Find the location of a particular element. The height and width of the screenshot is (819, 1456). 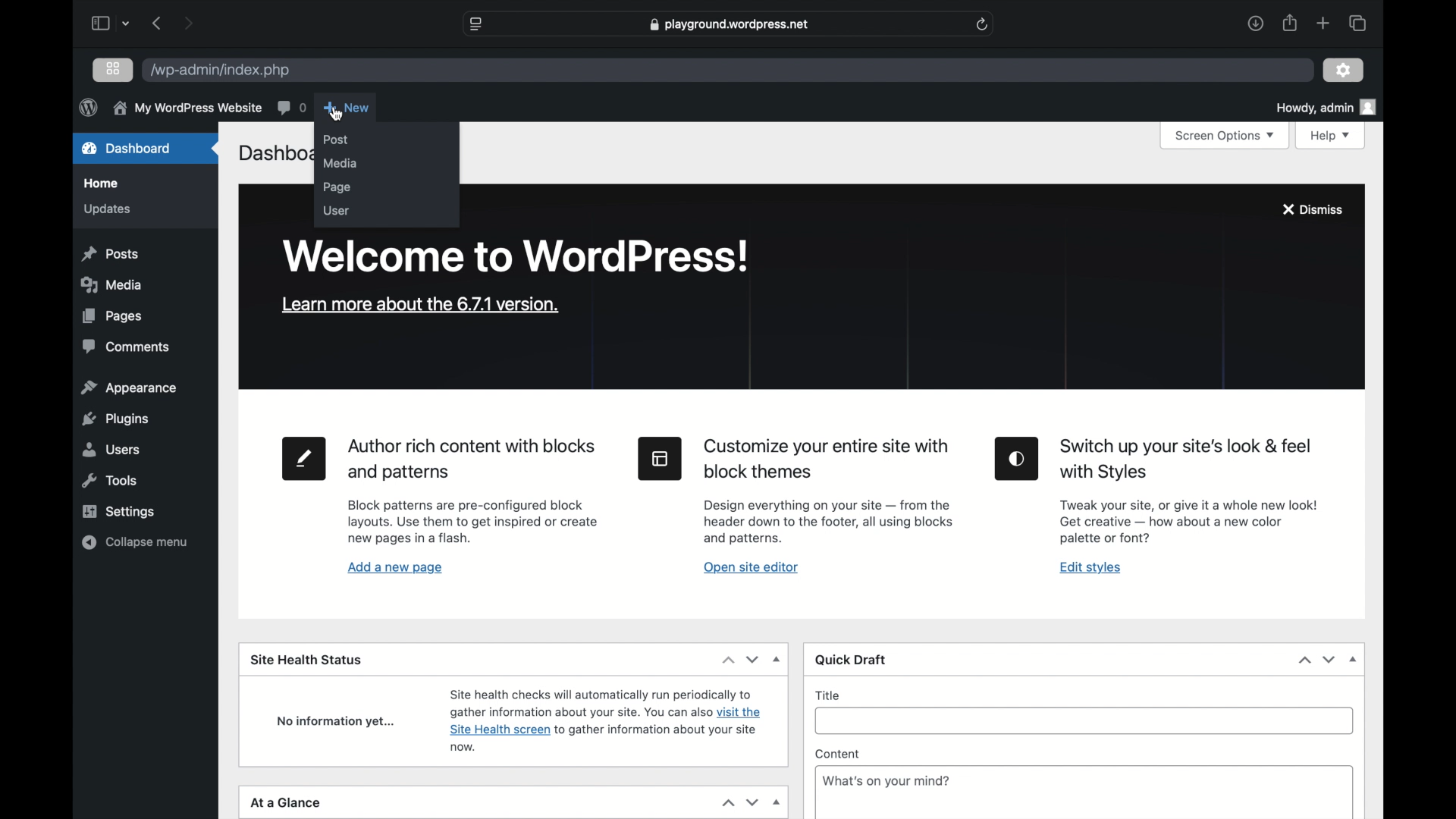

stepper button down is located at coordinates (752, 803).